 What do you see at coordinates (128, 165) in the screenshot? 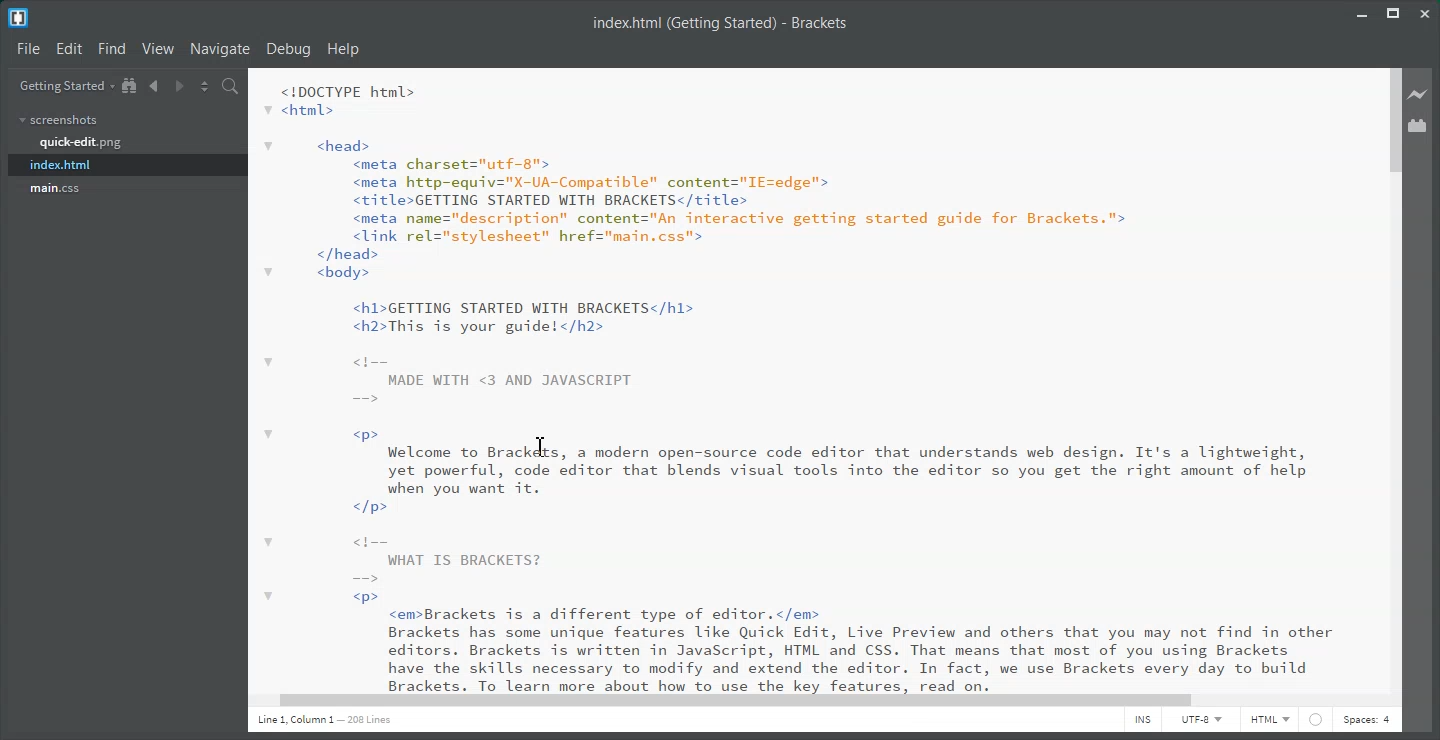
I see `index.html` at bounding box center [128, 165].